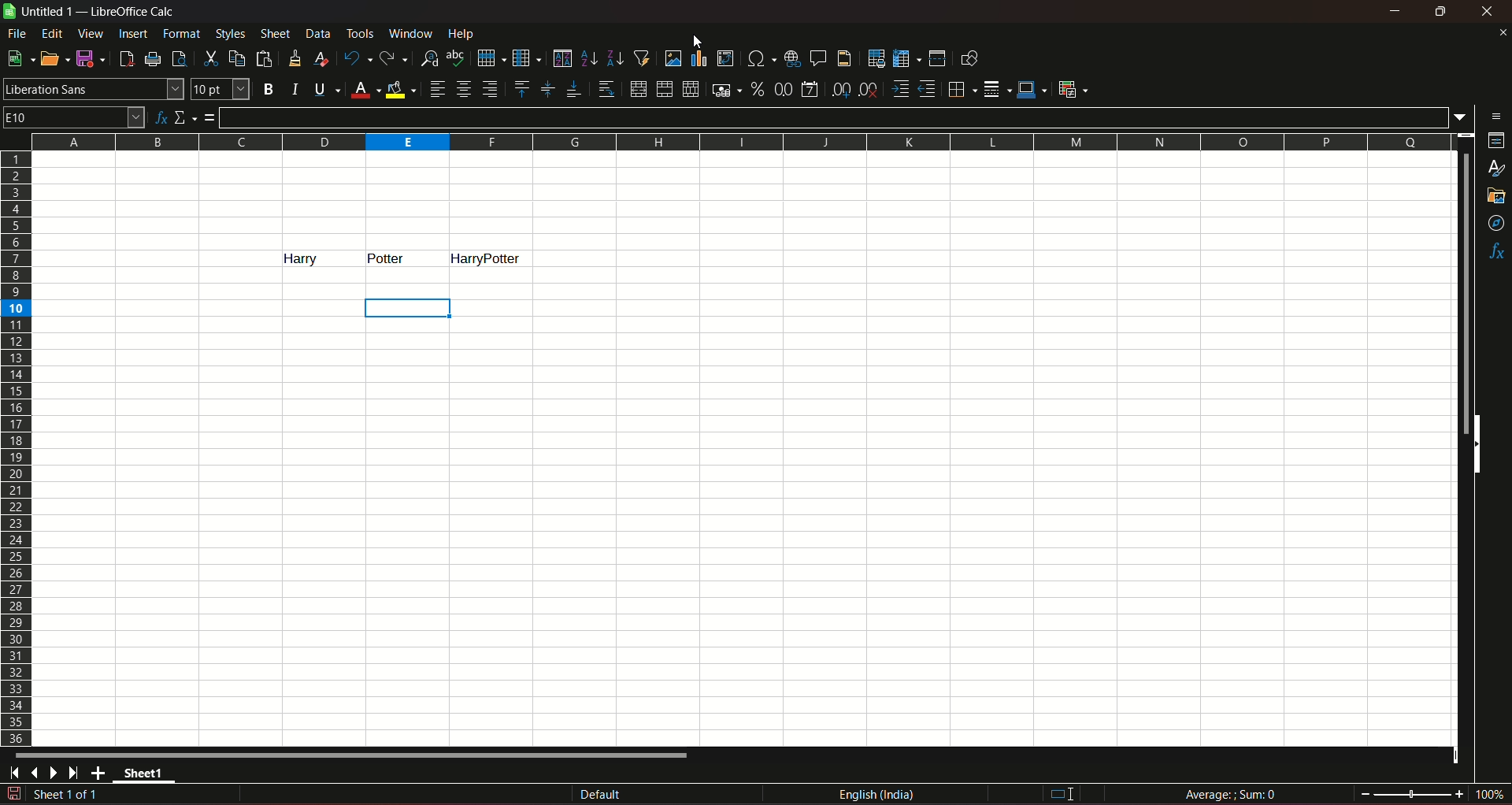 This screenshot has height=805, width=1512. Describe the element at coordinates (132, 32) in the screenshot. I see `insert` at that location.